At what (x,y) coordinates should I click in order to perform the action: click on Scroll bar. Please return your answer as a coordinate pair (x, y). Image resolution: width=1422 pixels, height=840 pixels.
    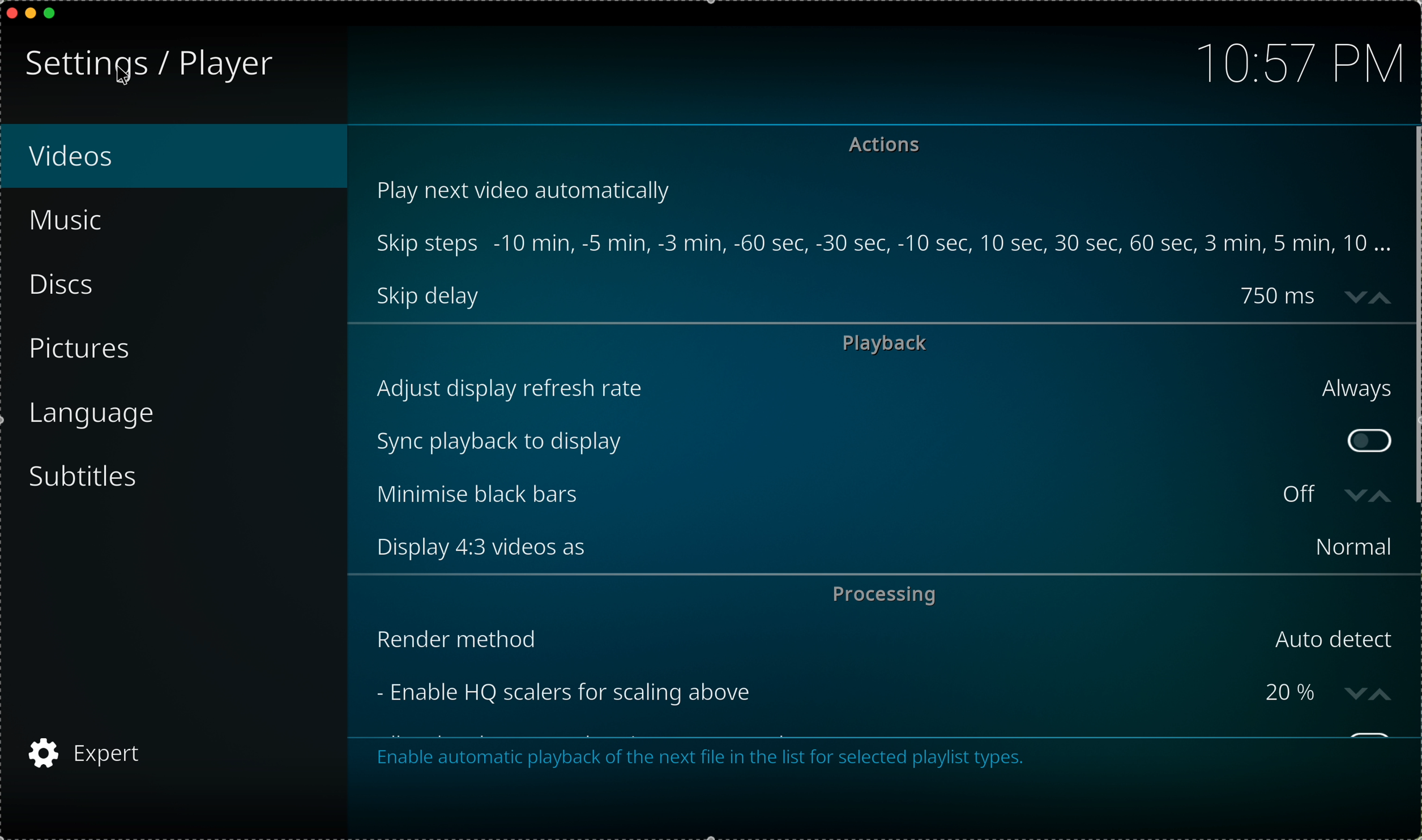
    Looking at the image, I should click on (1413, 316).